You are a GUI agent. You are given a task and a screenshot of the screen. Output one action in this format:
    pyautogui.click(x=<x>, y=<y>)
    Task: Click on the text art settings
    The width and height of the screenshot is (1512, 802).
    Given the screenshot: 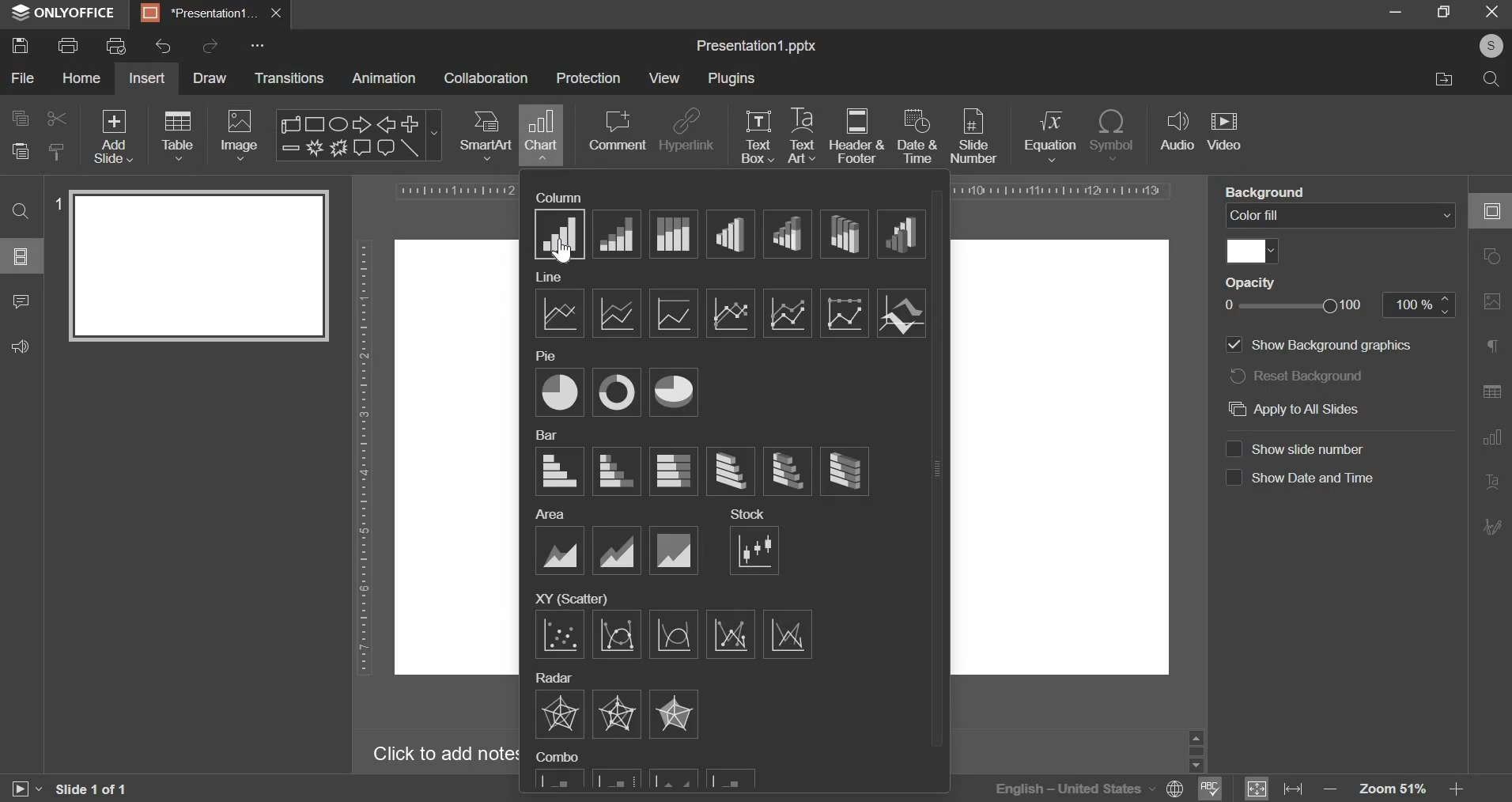 What is the action you would take?
    pyautogui.click(x=1490, y=483)
    